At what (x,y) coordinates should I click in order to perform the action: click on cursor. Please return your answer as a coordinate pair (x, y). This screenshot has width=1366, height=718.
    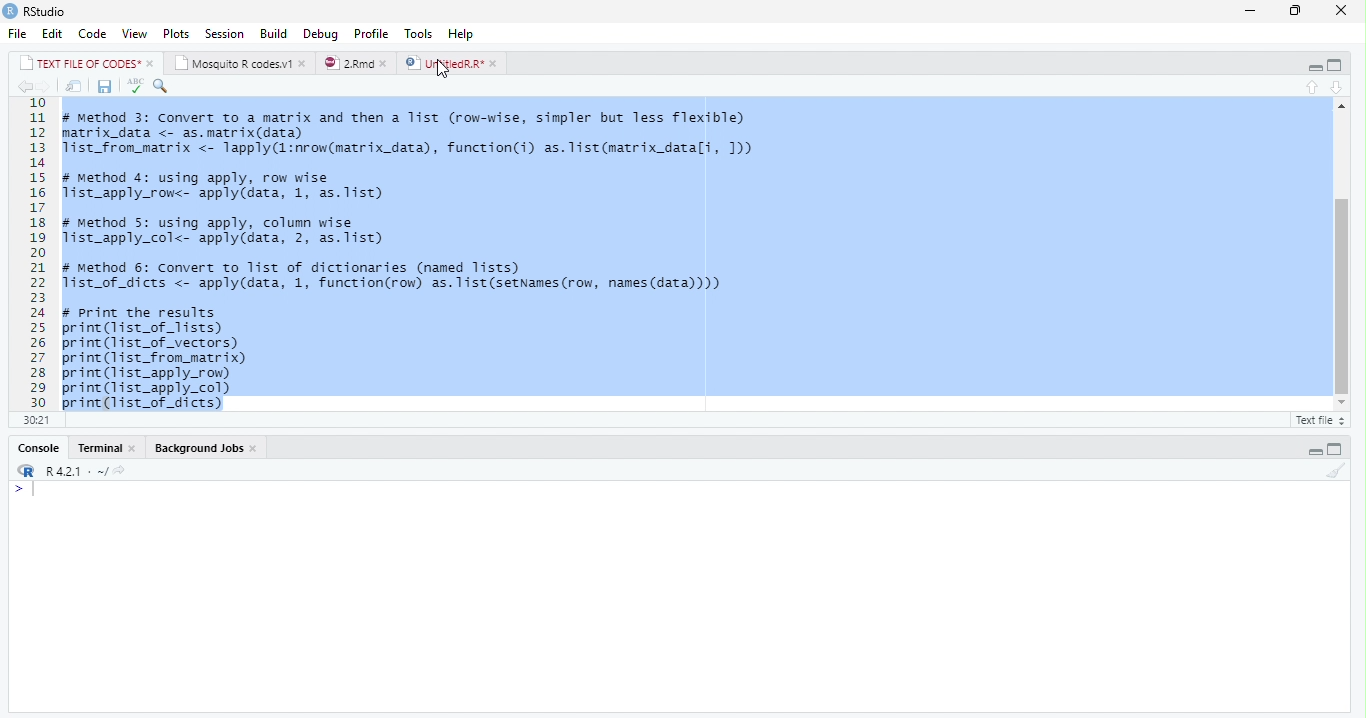
    Looking at the image, I should click on (443, 71).